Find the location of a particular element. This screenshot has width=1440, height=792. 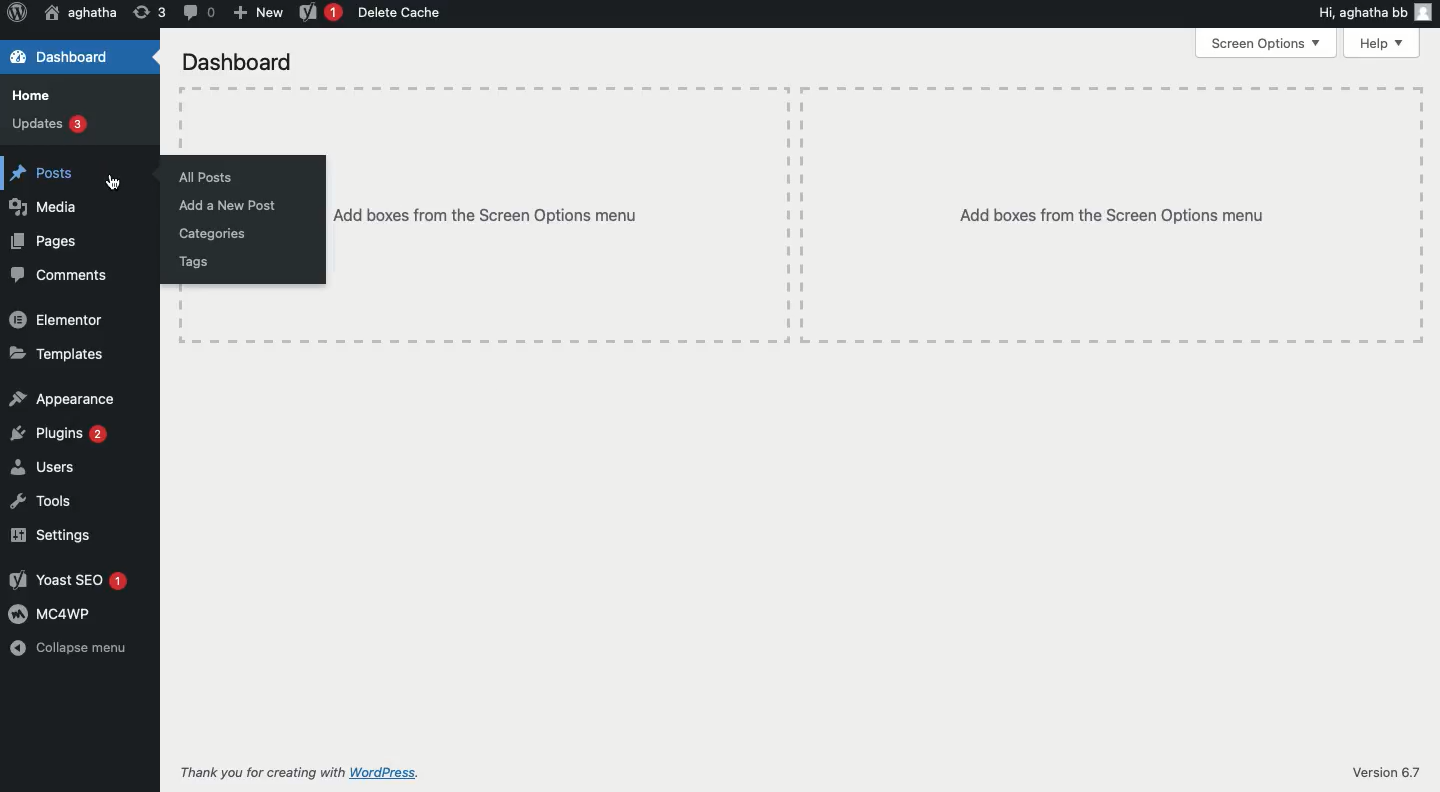

Pages is located at coordinates (44, 240).